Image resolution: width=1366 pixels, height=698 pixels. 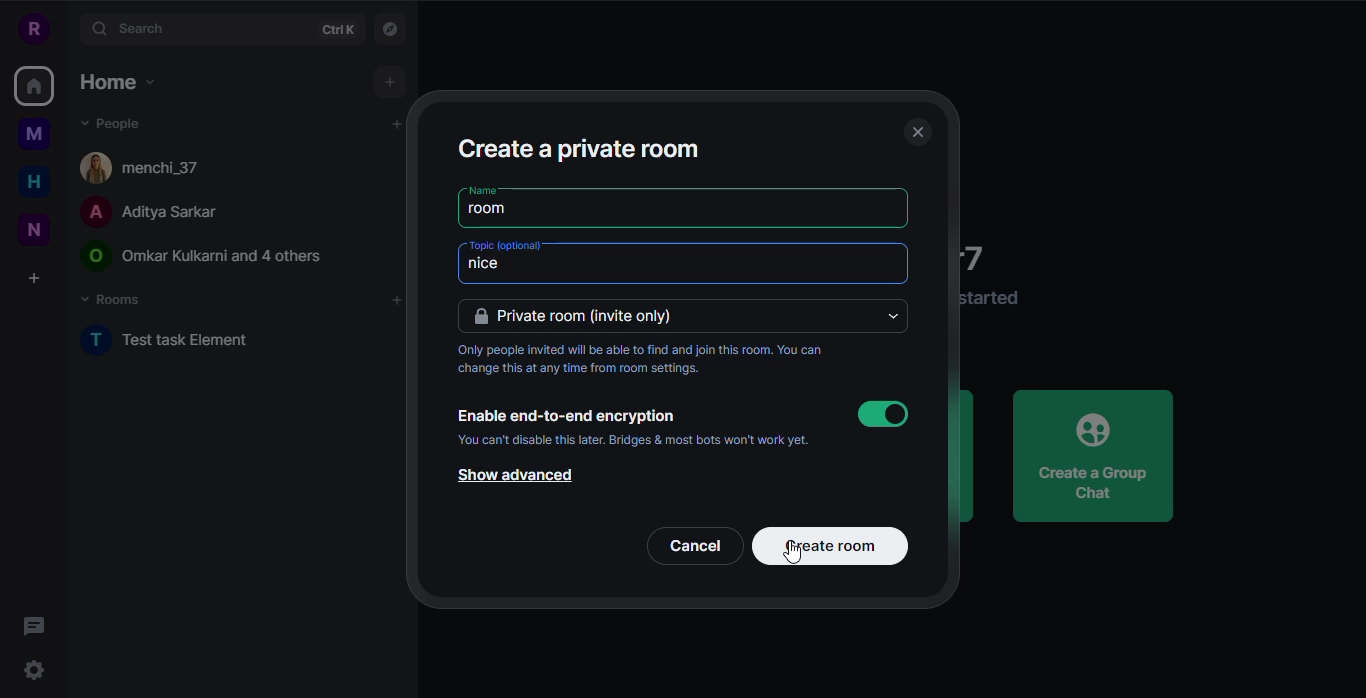 I want to click on welcome, so click(x=983, y=256).